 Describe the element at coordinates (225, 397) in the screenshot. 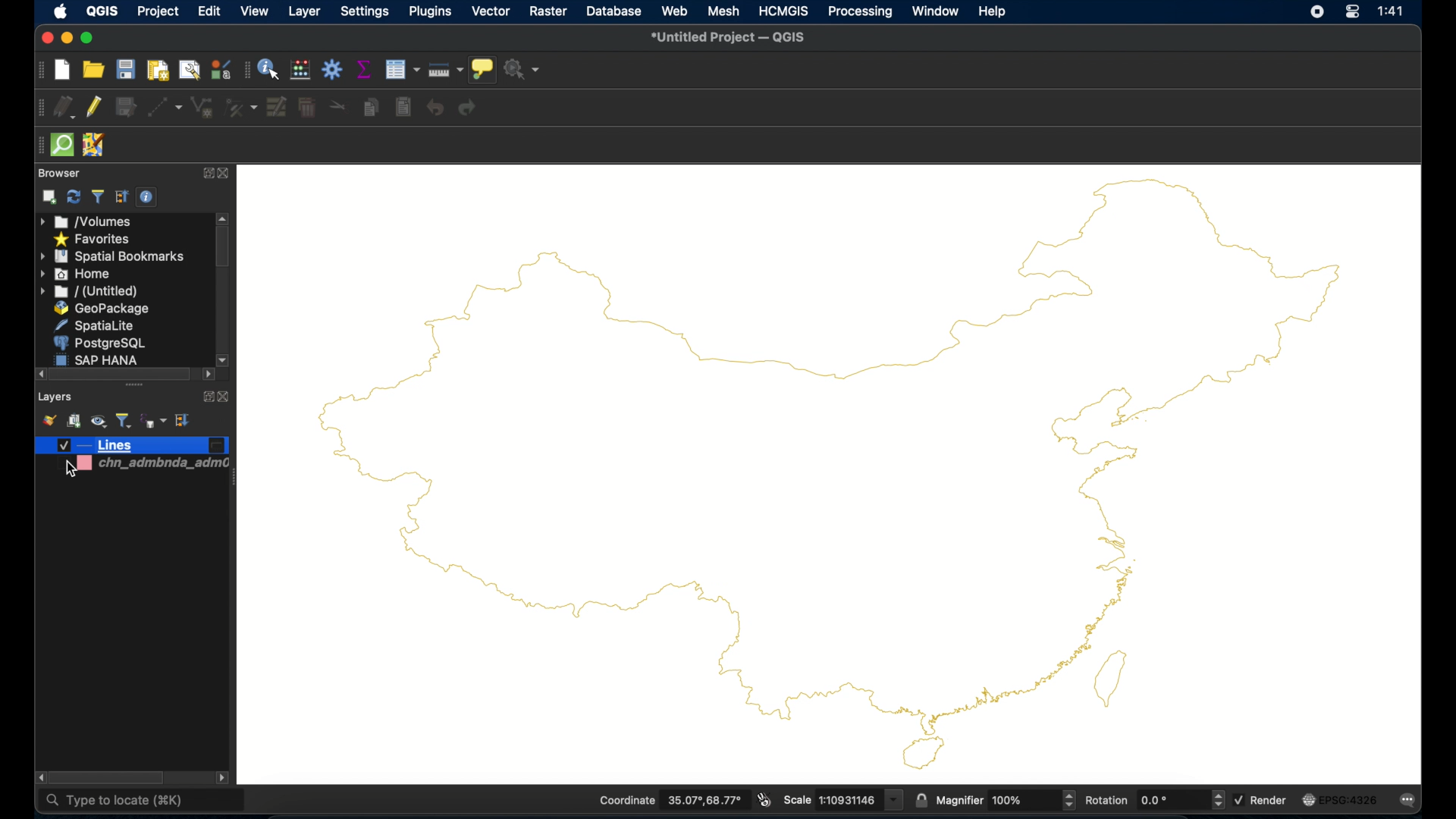

I see `close` at that location.